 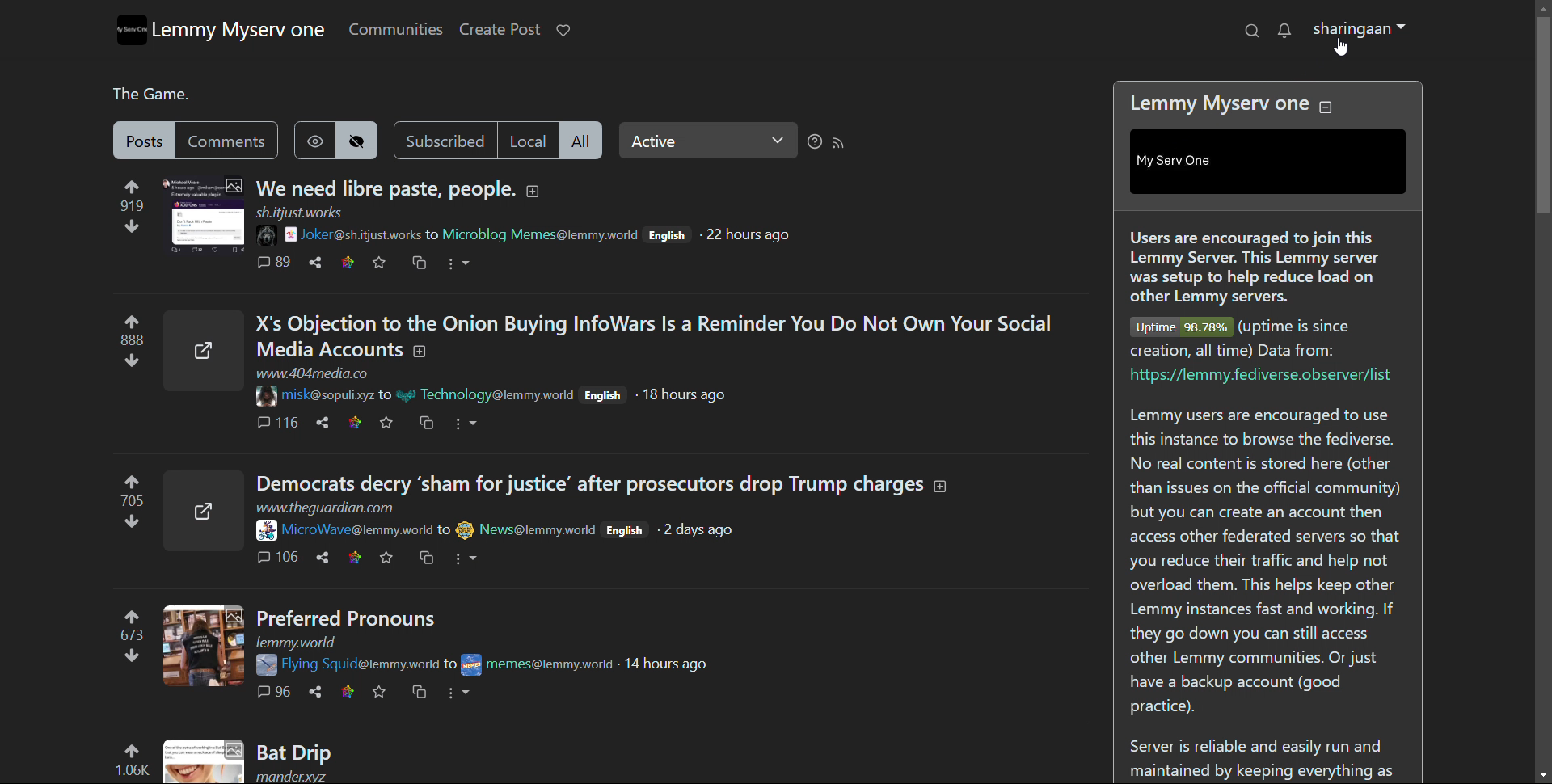 I want to click on thumbnail, so click(x=205, y=217).